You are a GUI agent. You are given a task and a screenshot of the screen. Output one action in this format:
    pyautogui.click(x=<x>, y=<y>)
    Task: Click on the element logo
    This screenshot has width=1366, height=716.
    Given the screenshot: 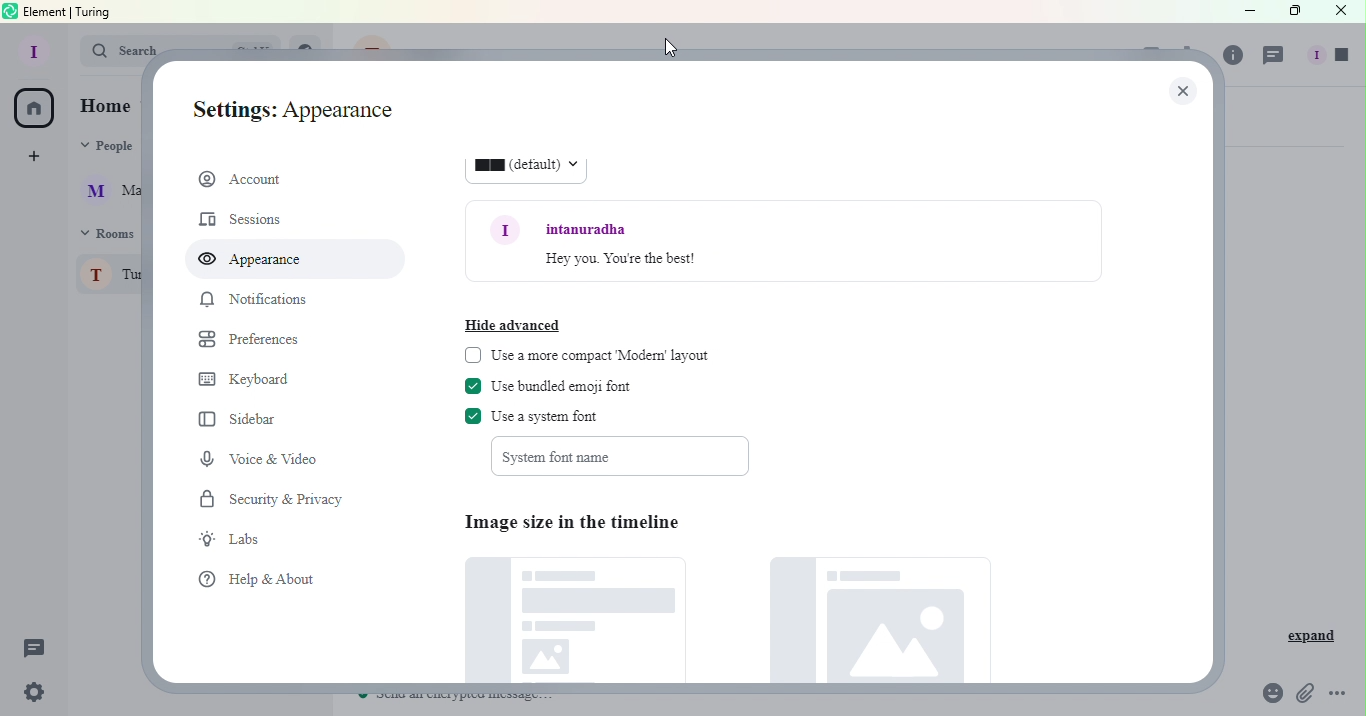 What is the action you would take?
    pyautogui.click(x=11, y=11)
    